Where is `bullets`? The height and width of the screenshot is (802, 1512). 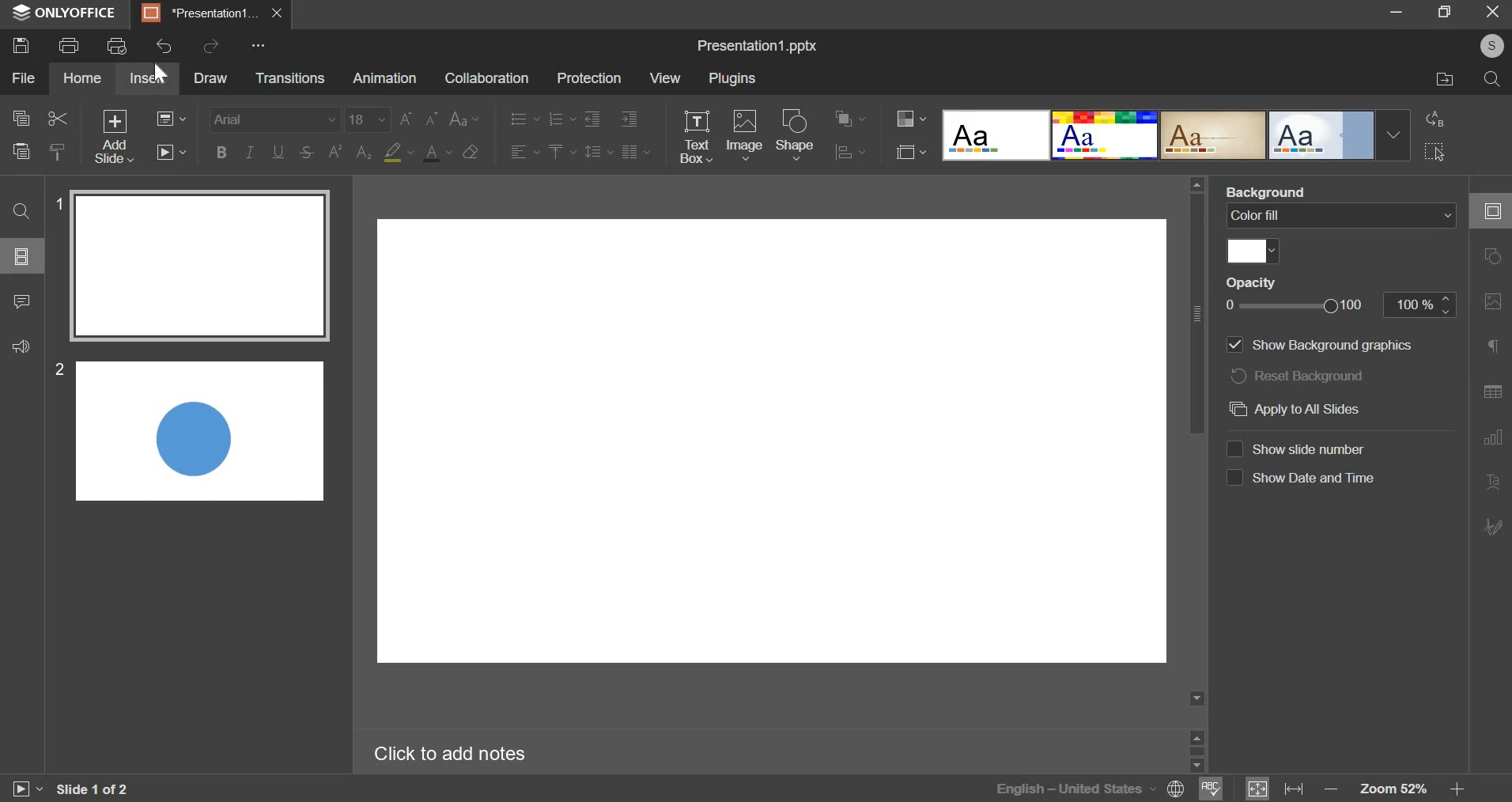 bullets is located at coordinates (521, 120).